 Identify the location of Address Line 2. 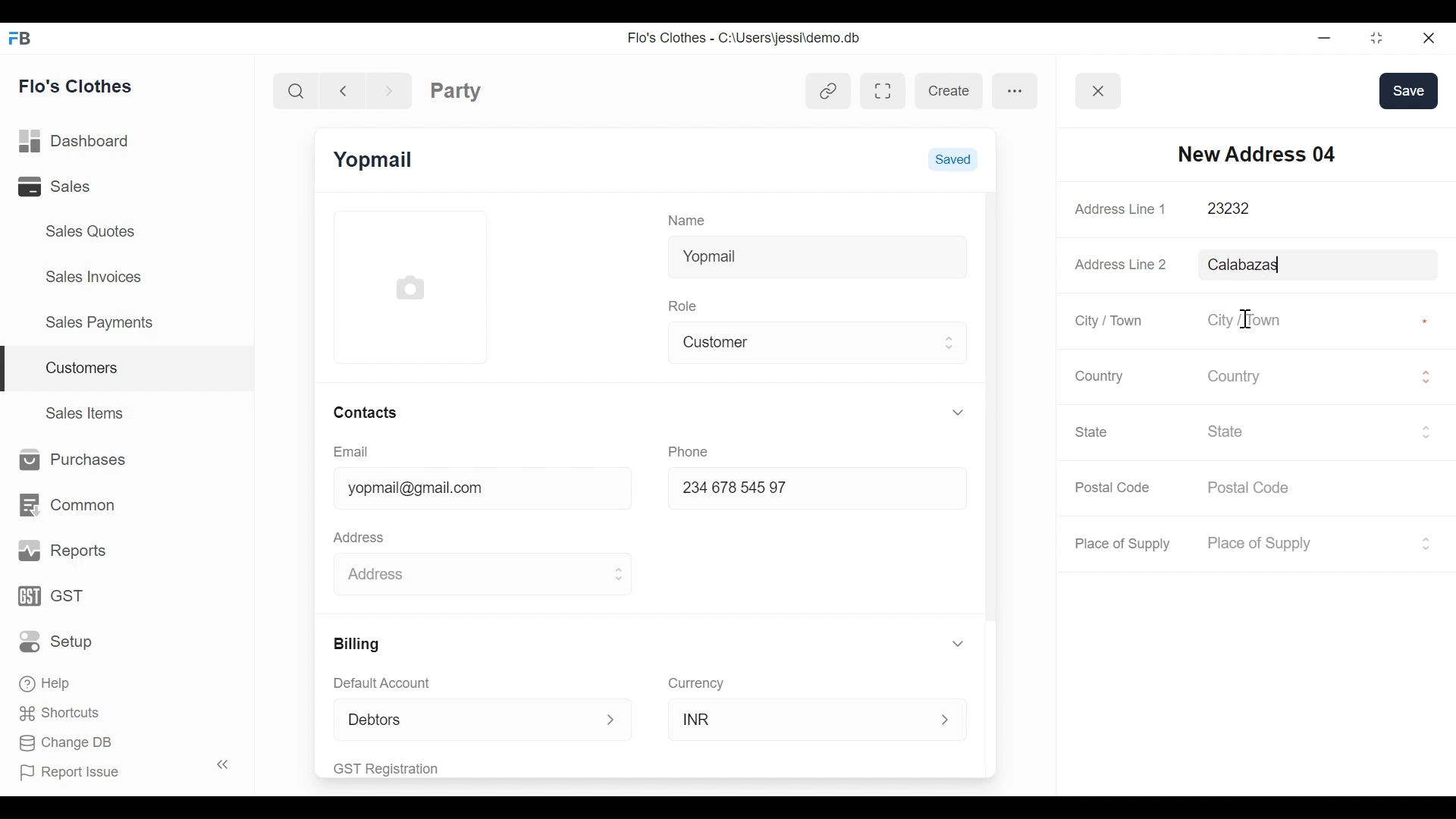
(1122, 260).